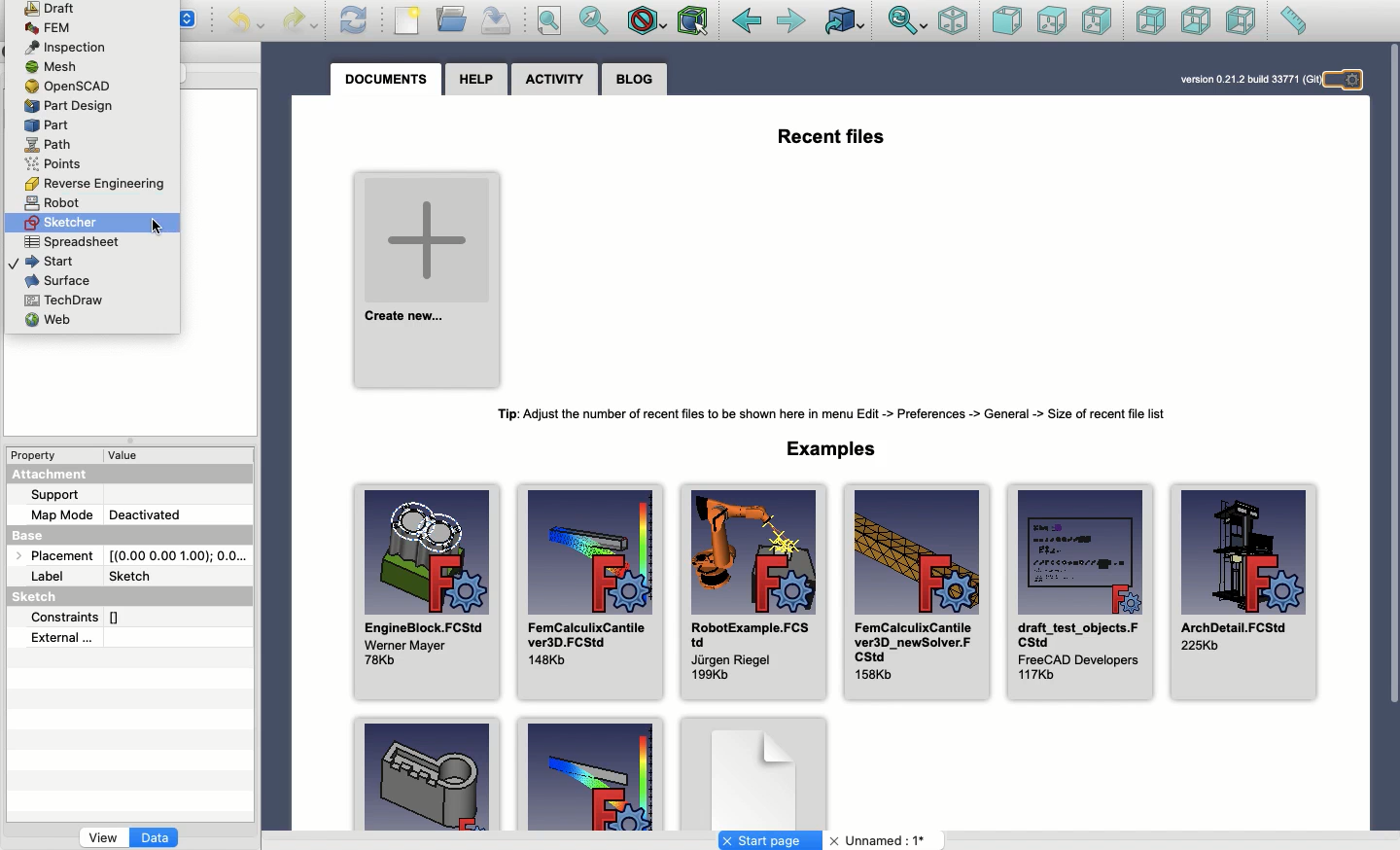  Describe the element at coordinates (157, 229) in the screenshot. I see `Pointer` at that location.